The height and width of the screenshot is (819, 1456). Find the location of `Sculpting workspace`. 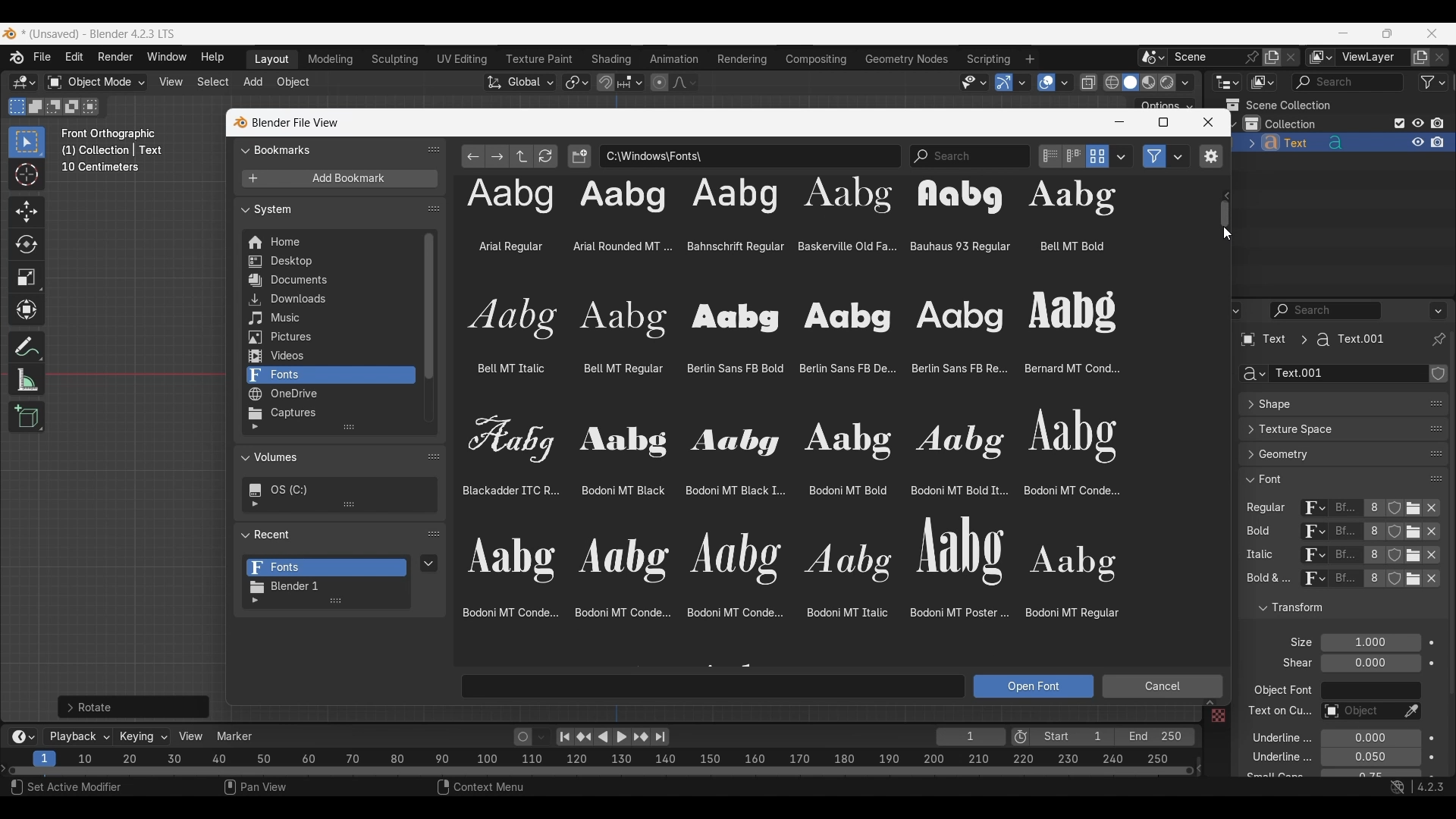

Sculpting workspace is located at coordinates (397, 59).